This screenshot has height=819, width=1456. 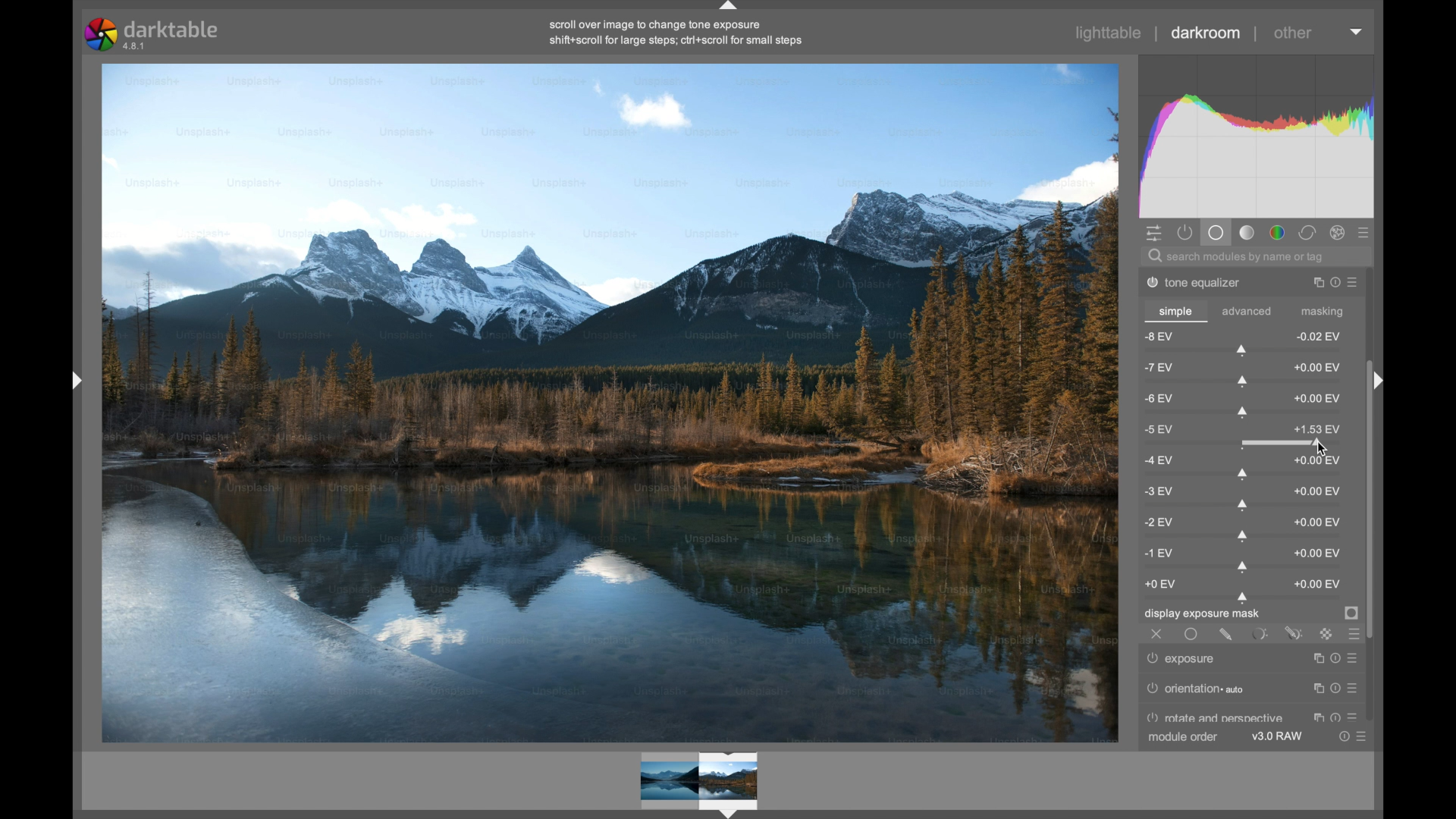 What do you see at coordinates (1153, 234) in the screenshot?
I see `show quick access panel` at bounding box center [1153, 234].